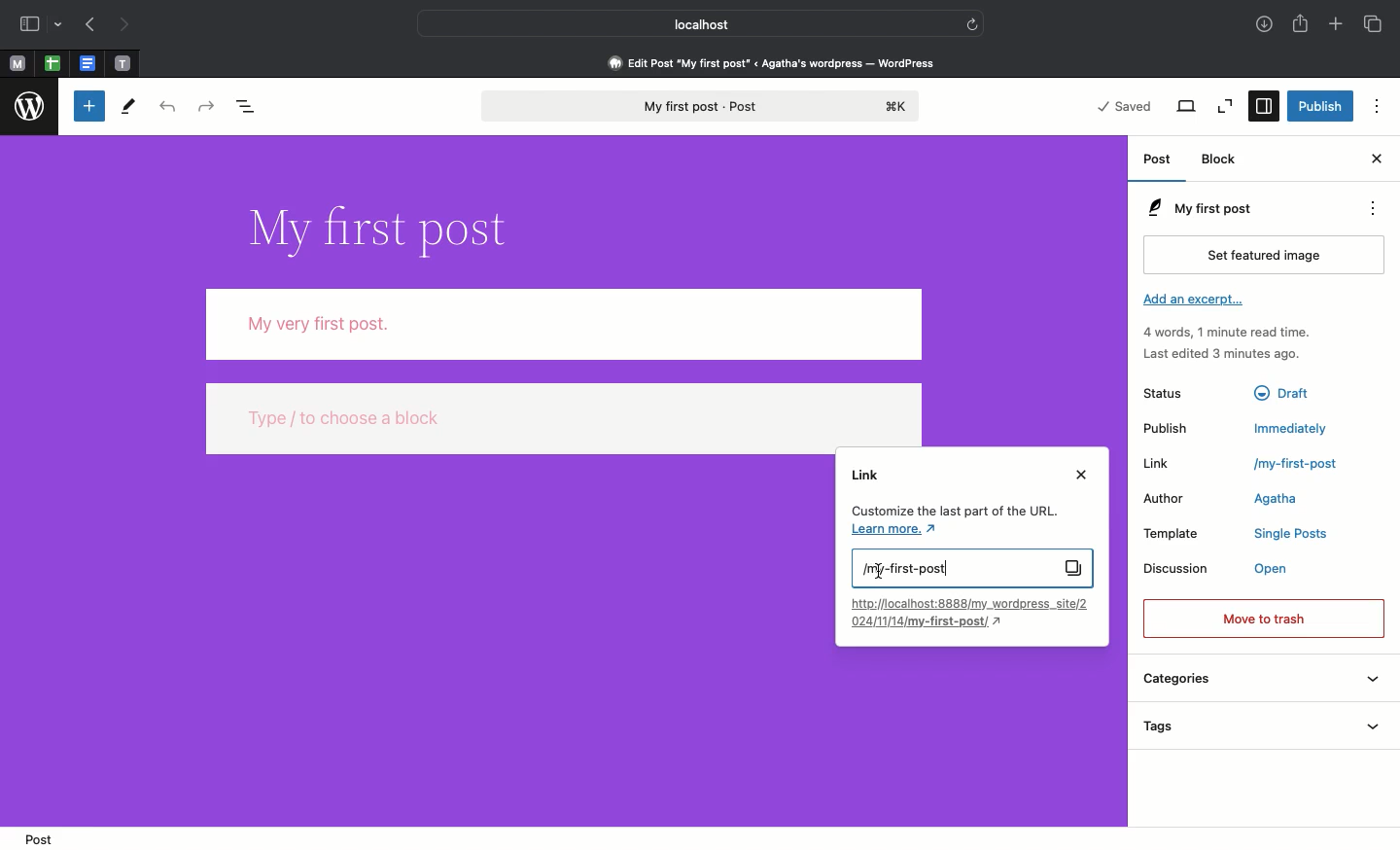  Describe the element at coordinates (1261, 680) in the screenshot. I see `Categories` at that location.